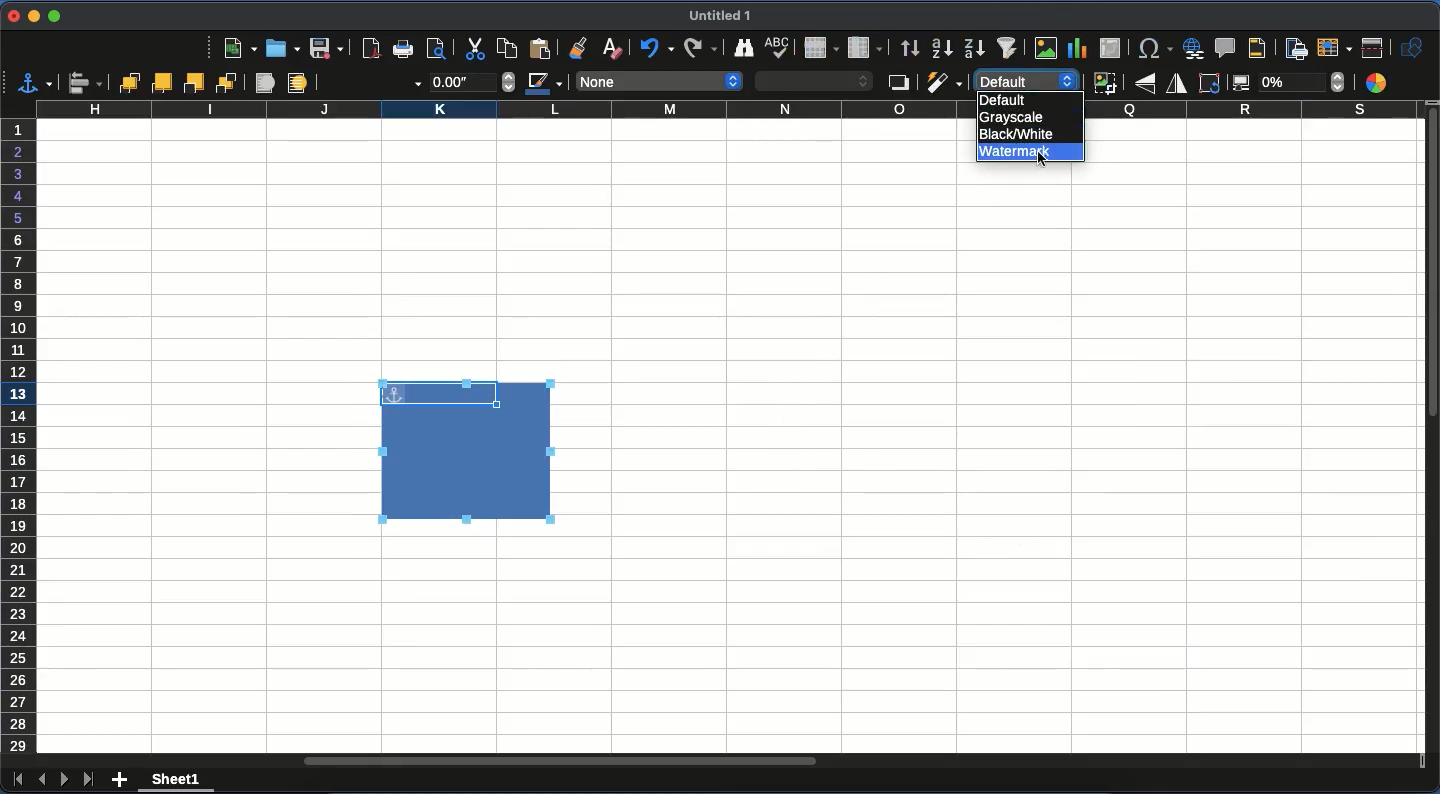  I want to click on define print area, so click(1297, 49).